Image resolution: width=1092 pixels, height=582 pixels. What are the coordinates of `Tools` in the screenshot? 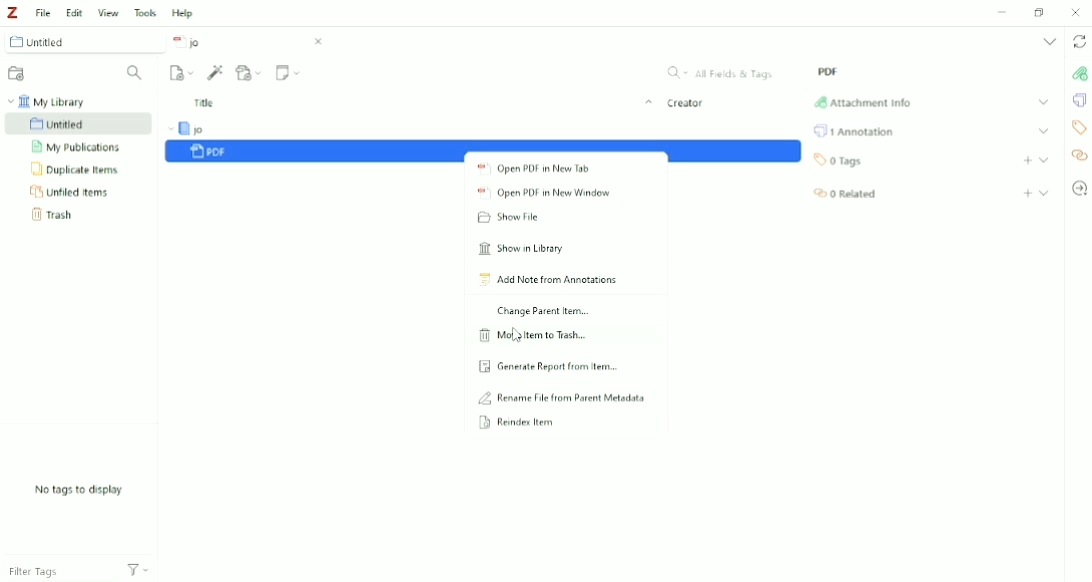 It's located at (145, 12).